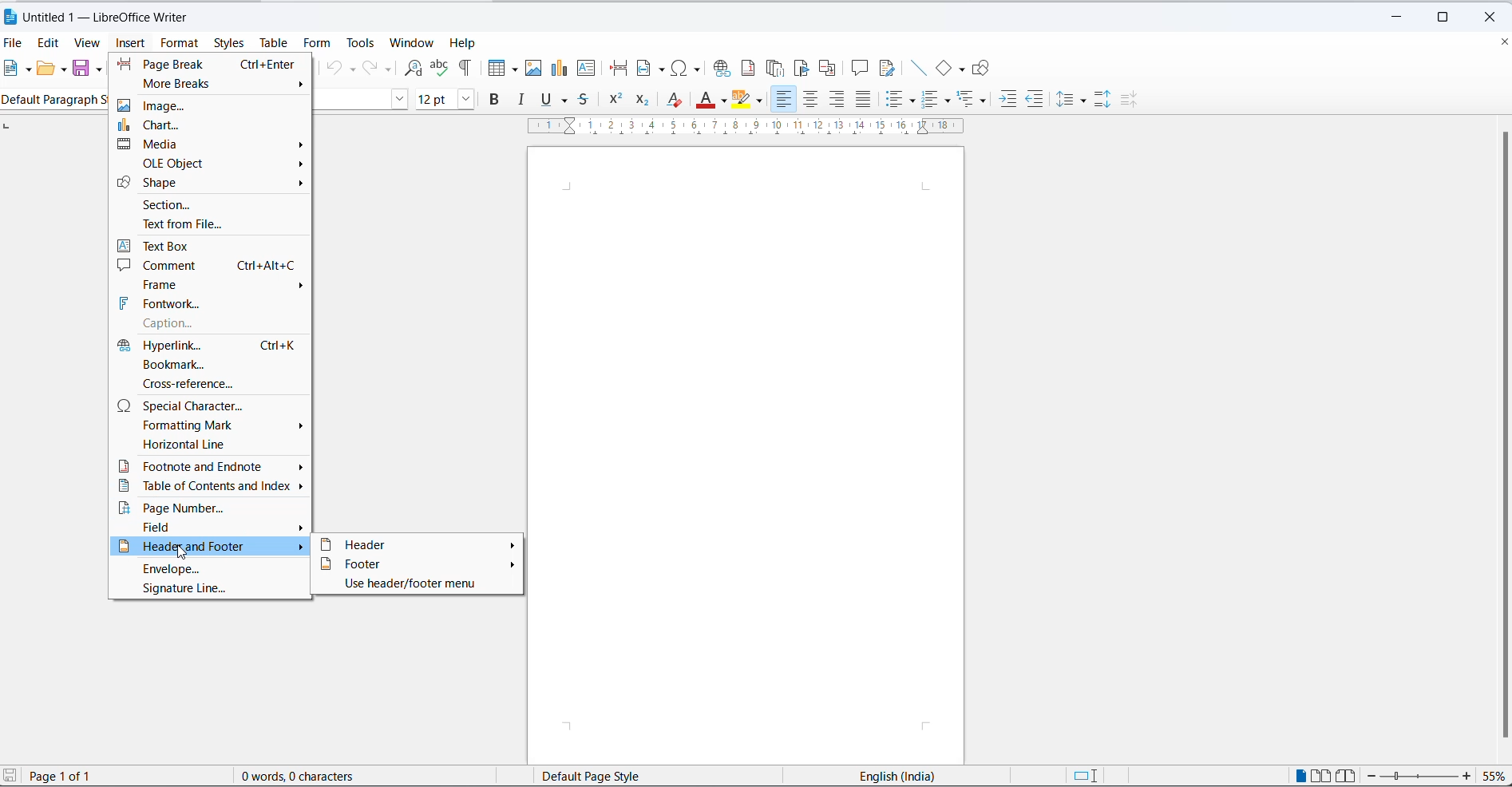 Image resolution: width=1512 pixels, height=787 pixels. Describe the element at coordinates (1467, 777) in the screenshot. I see `increase zoom` at that location.